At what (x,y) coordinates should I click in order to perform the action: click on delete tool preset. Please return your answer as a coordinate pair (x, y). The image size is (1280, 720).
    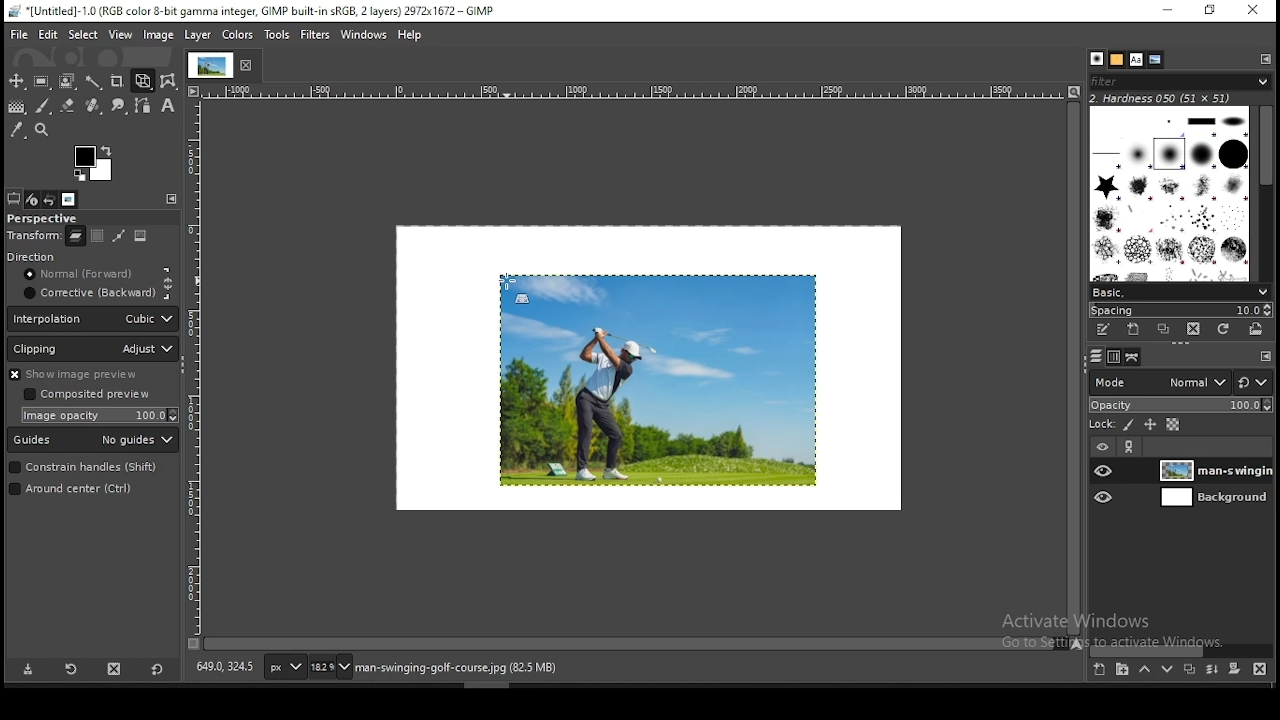
    Looking at the image, I should click on (116, 668).